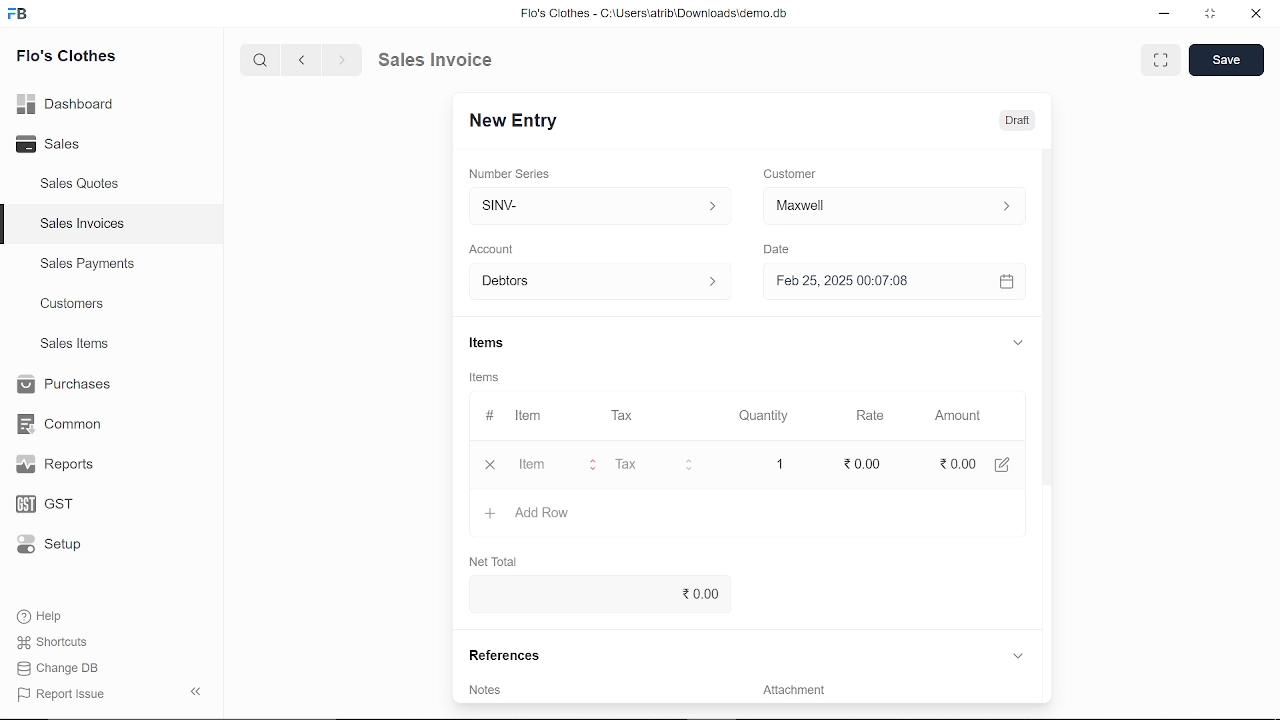  What do you see at coordinates (67, 386) in the screenshot?
I see `Purchases` at bounding box center [67, 386].